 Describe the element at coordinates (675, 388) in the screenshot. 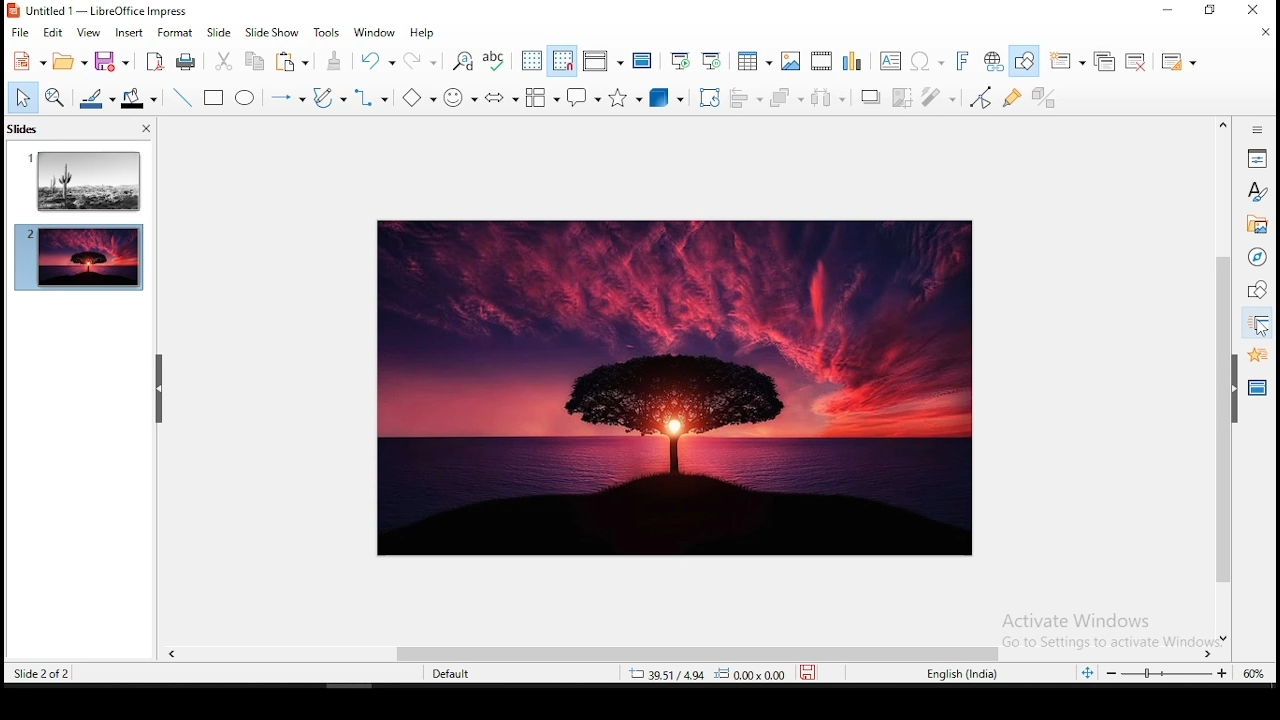

I see `image` at that location.